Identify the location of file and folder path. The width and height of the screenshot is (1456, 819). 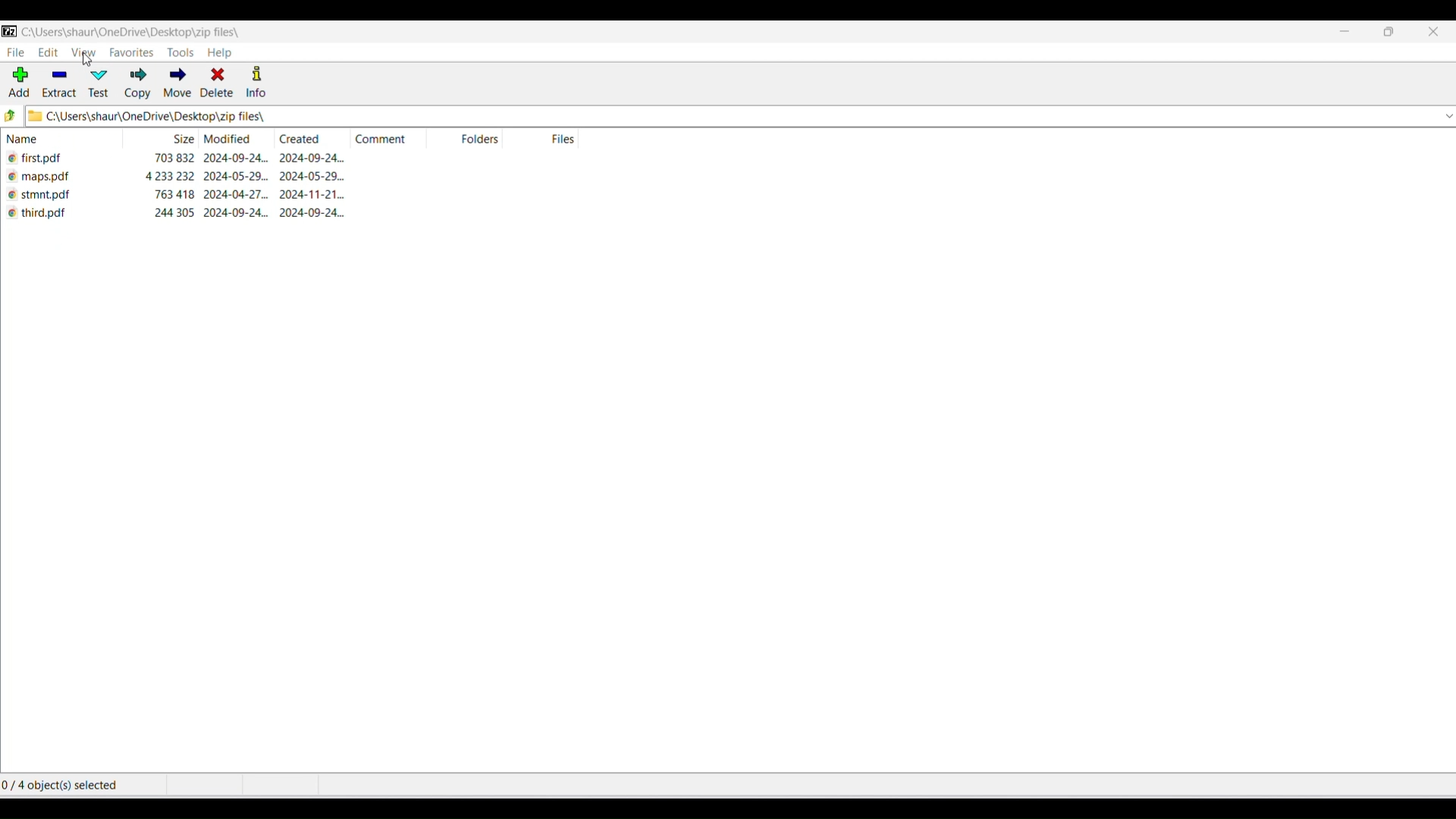
(729, 118).